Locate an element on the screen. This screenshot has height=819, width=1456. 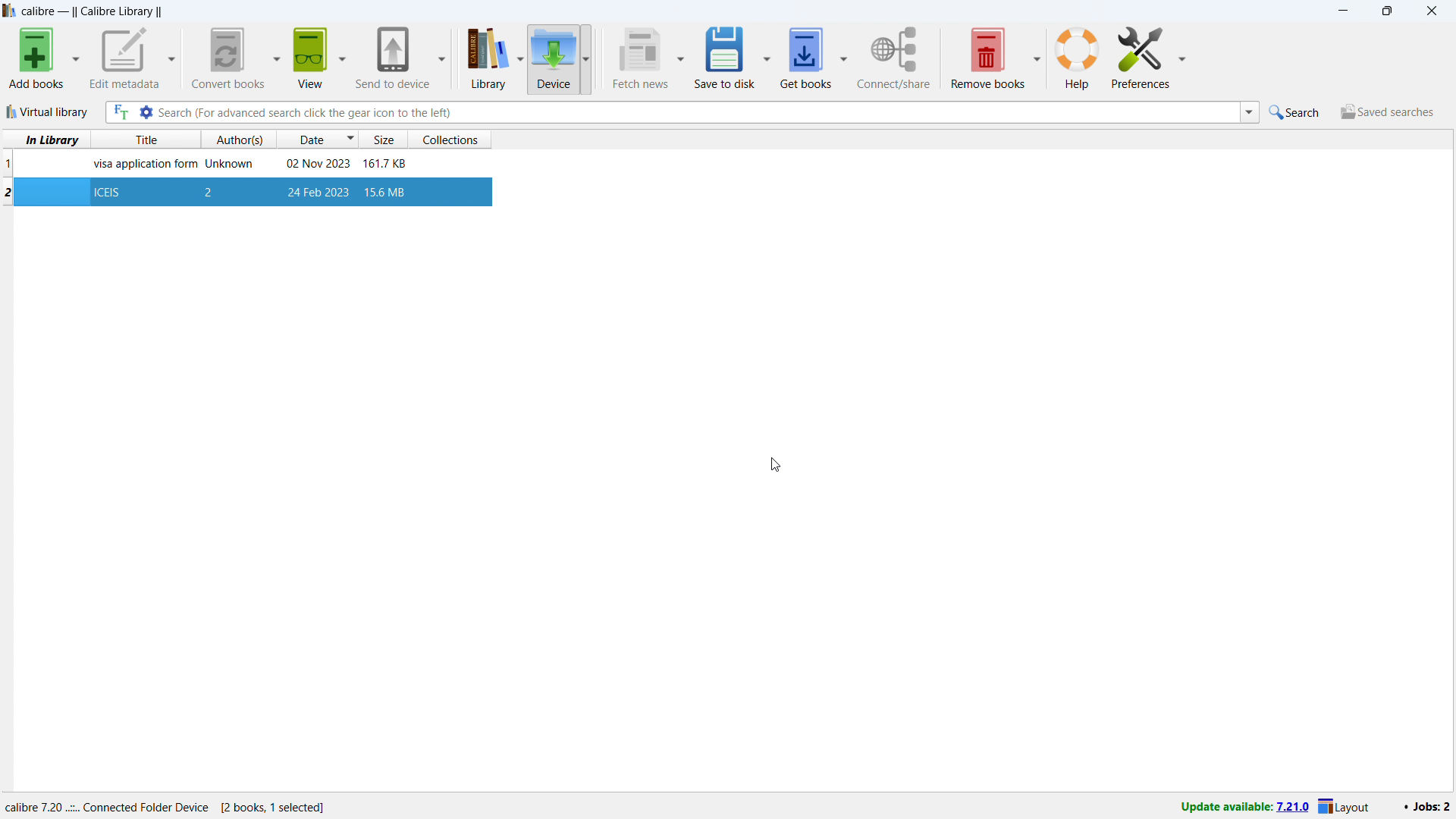
Add books options is located at coordinates (76, 58).